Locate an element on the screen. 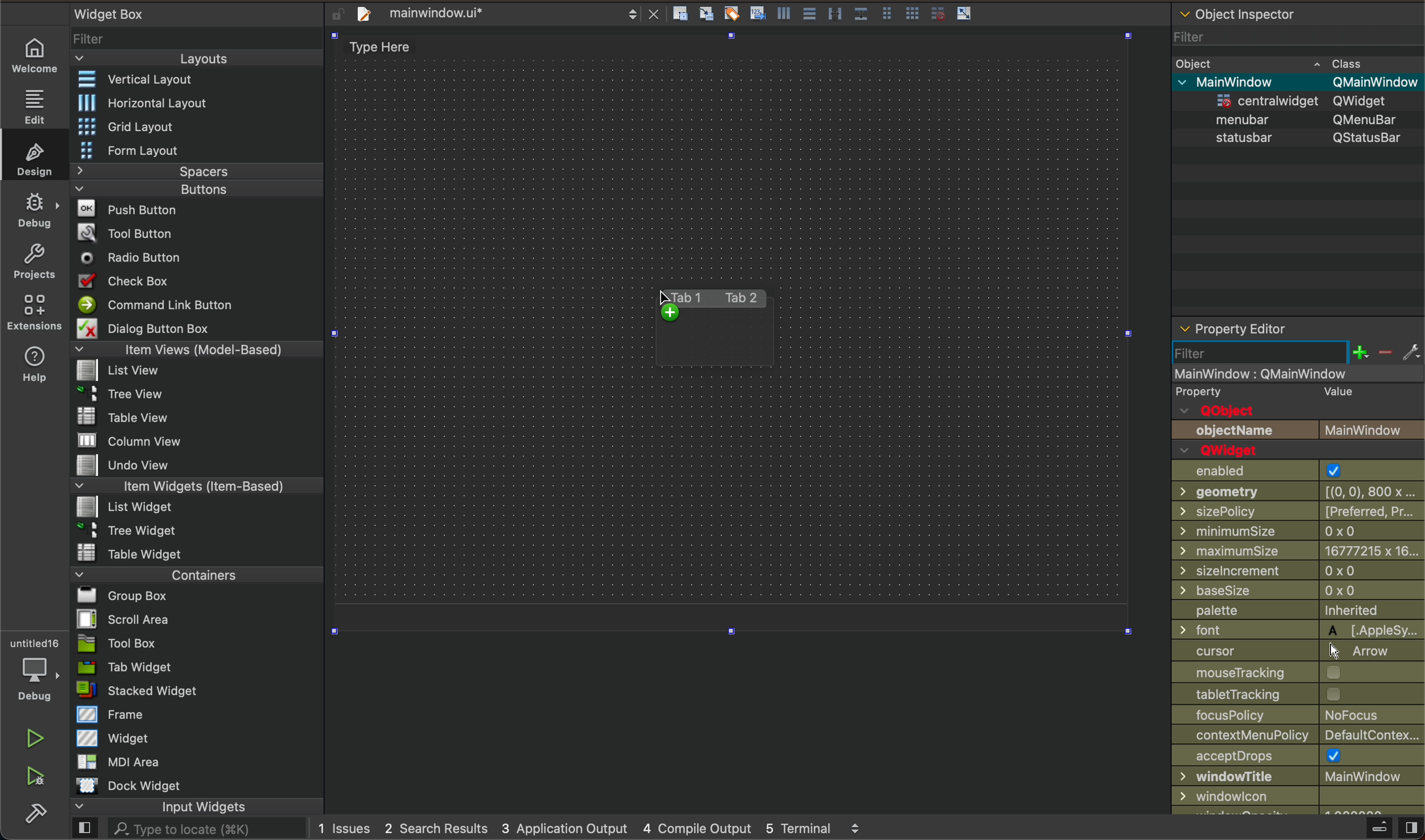 This screenshot has width=1425, height=840.  Radio Button is located at coordinates (125, 258).